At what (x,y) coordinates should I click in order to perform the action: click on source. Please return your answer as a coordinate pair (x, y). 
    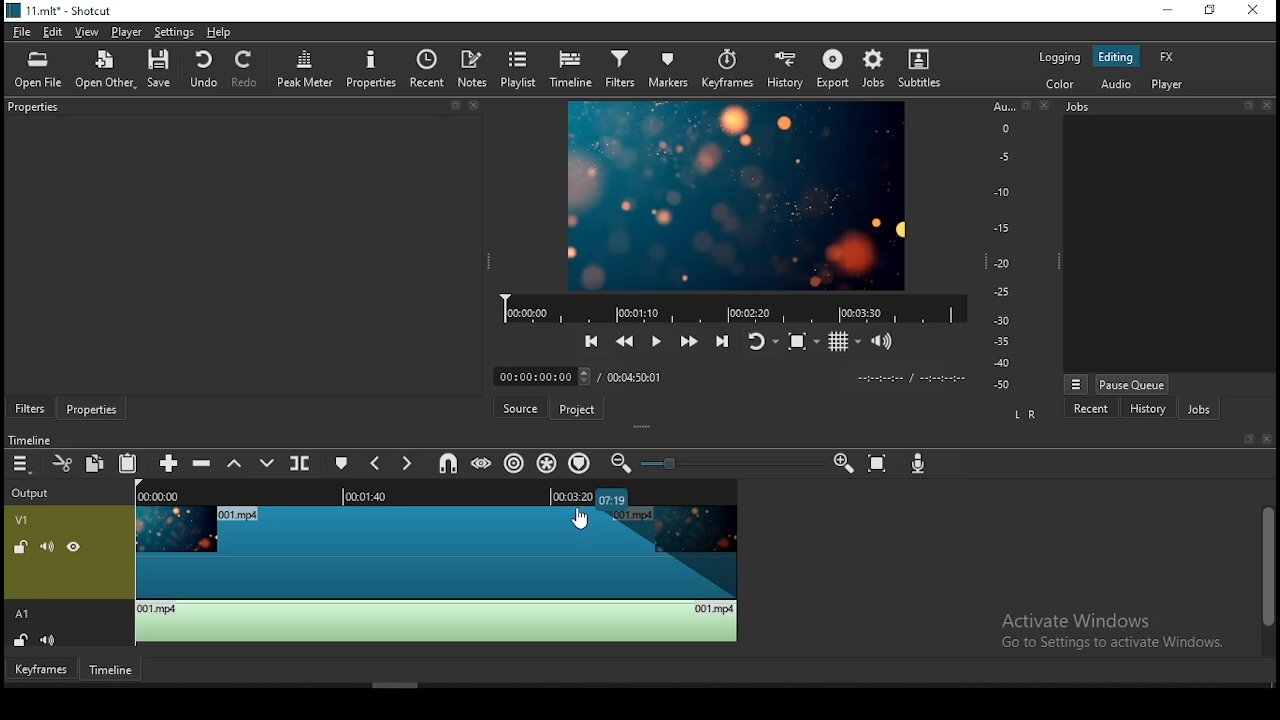
    Looking at the image, I should click on (519, 409).